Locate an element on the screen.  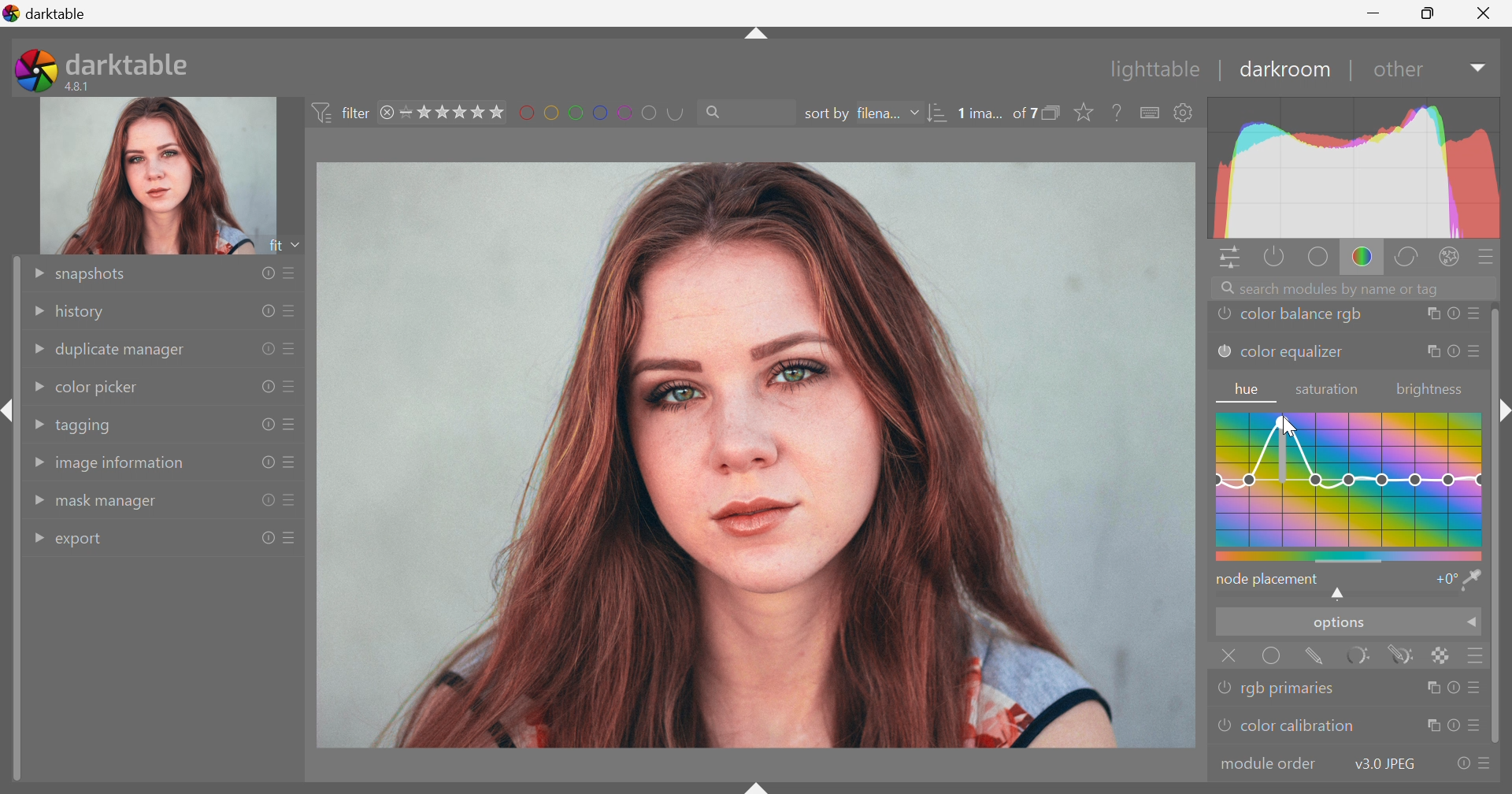
rgb primaries is located at coordinates (1294, 689).